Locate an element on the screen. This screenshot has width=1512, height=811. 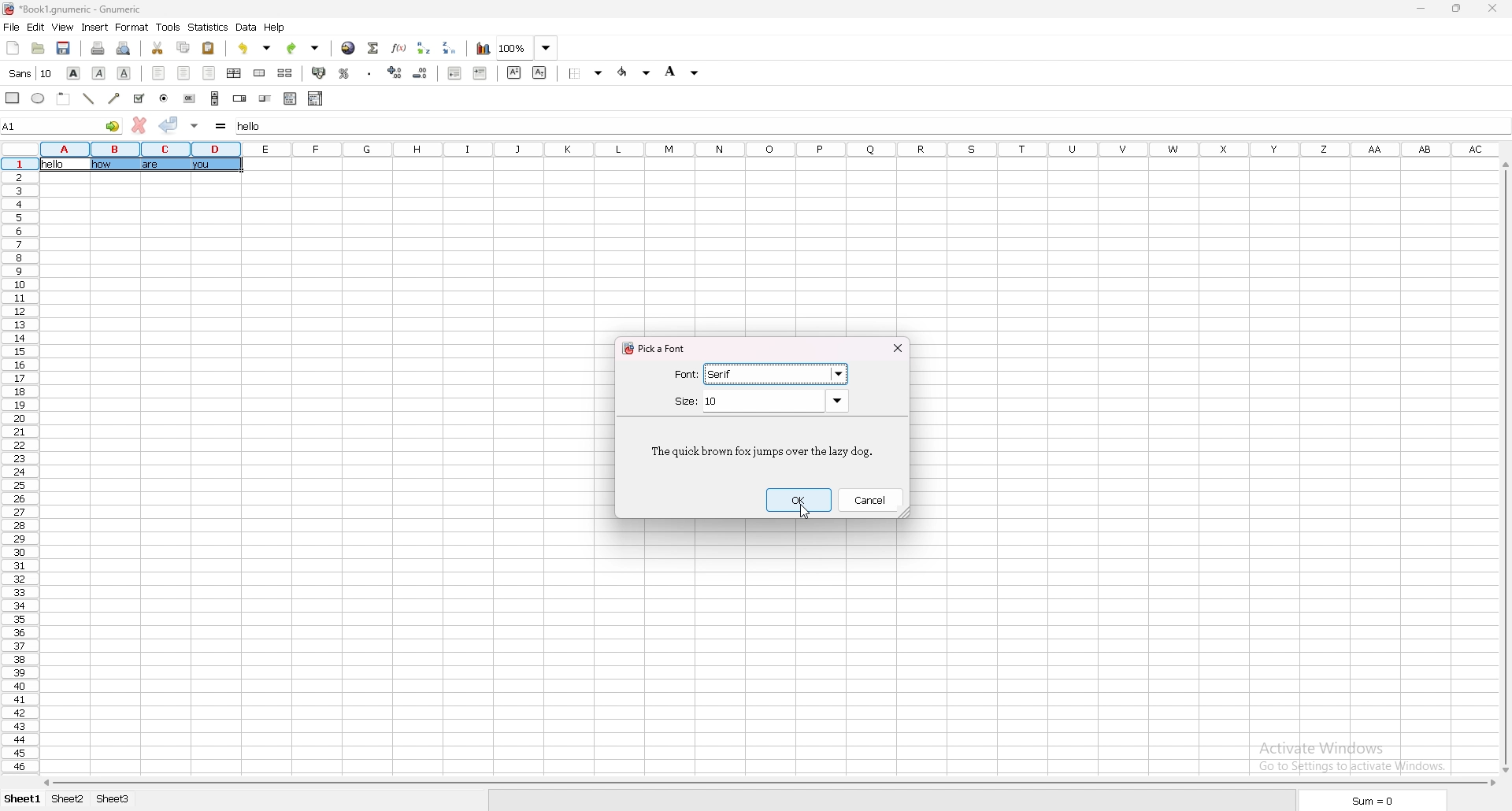
format is located at coordinates (132, 28).